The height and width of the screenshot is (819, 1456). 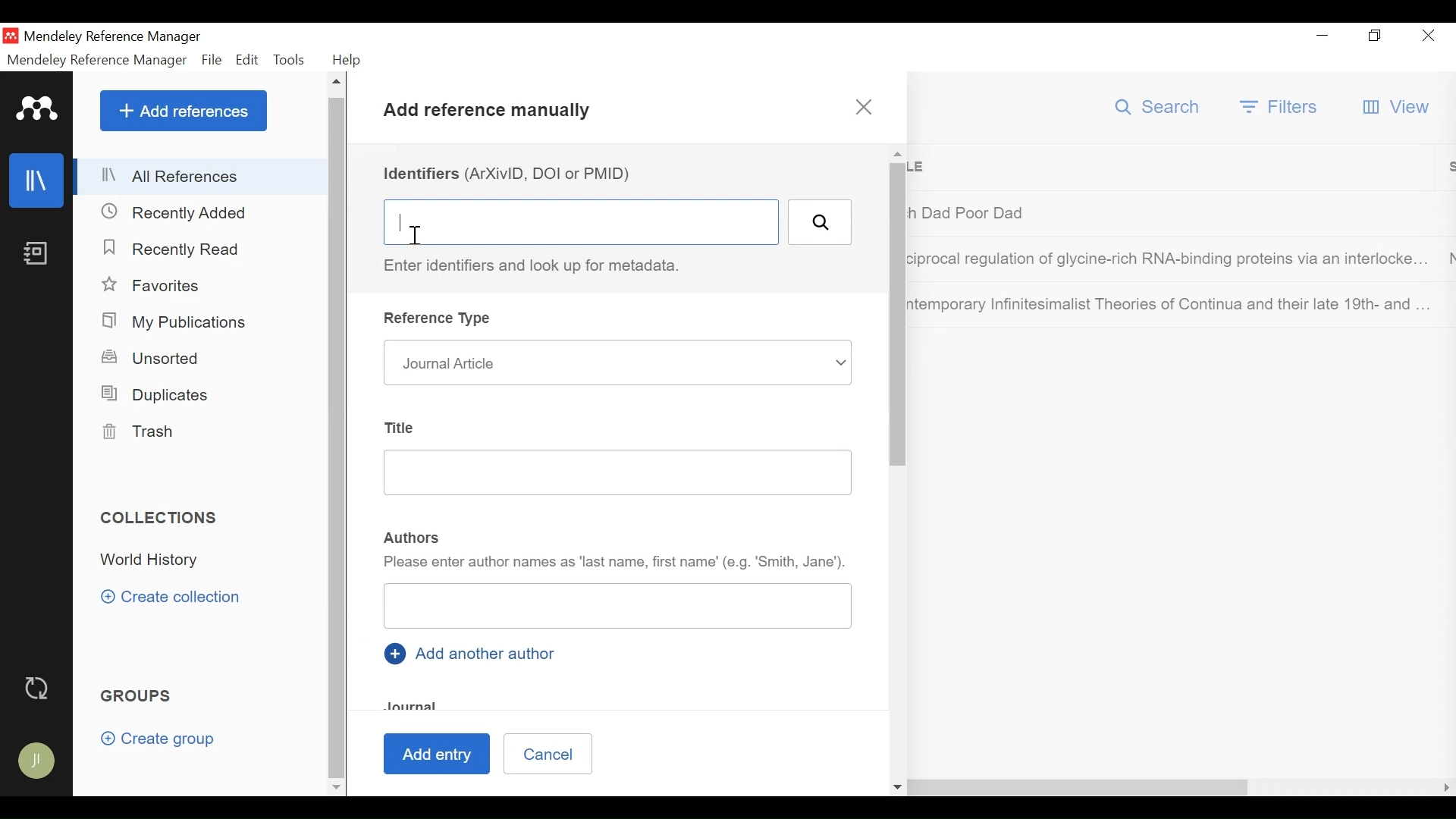 I want to click on Title, so click(x=400, y=425).